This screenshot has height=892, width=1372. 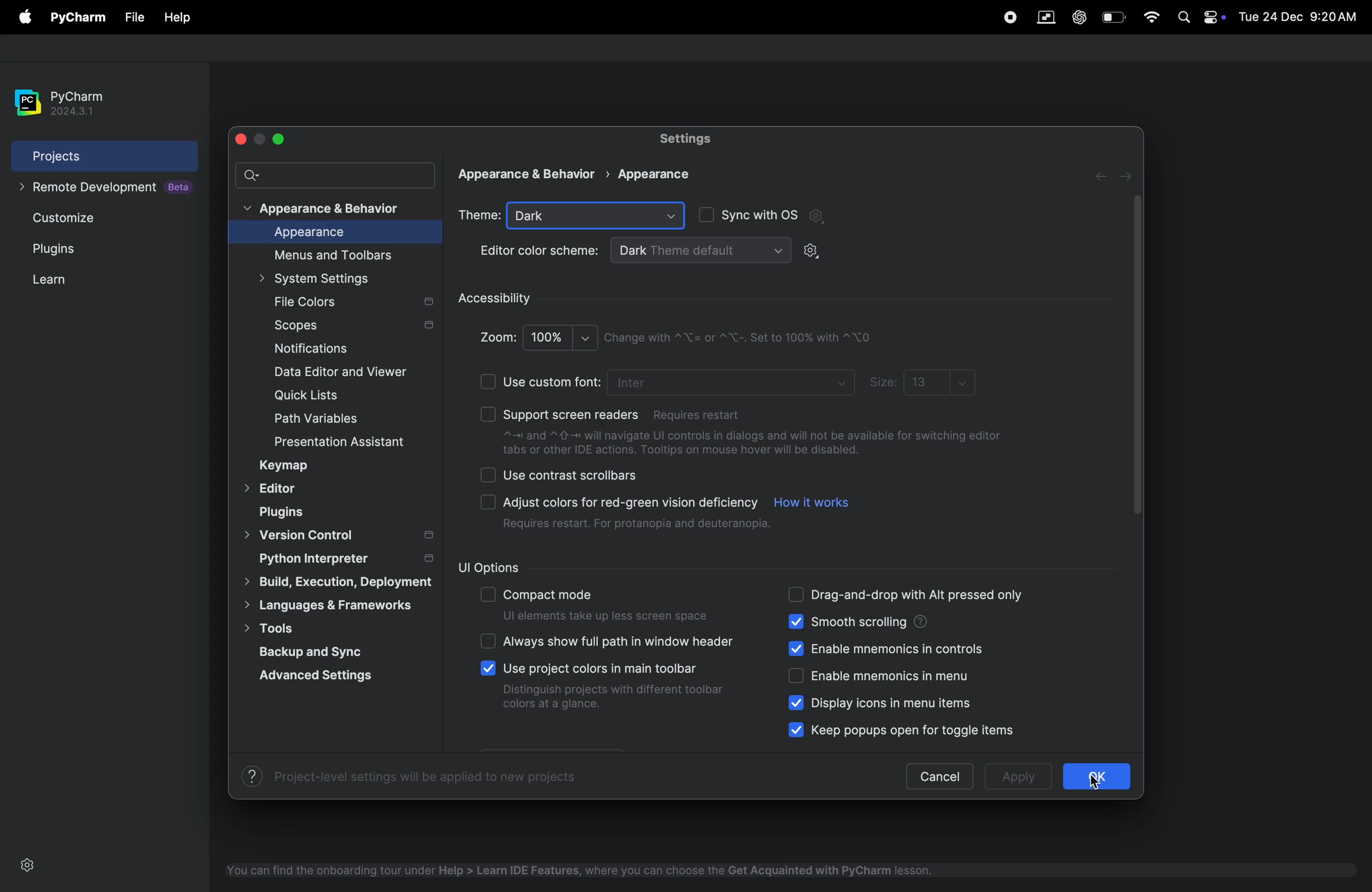 What do you see at coordinates (572, 475) in the screenshot?
I see `use contrast scrollbars` at bounding box center [572, 475].